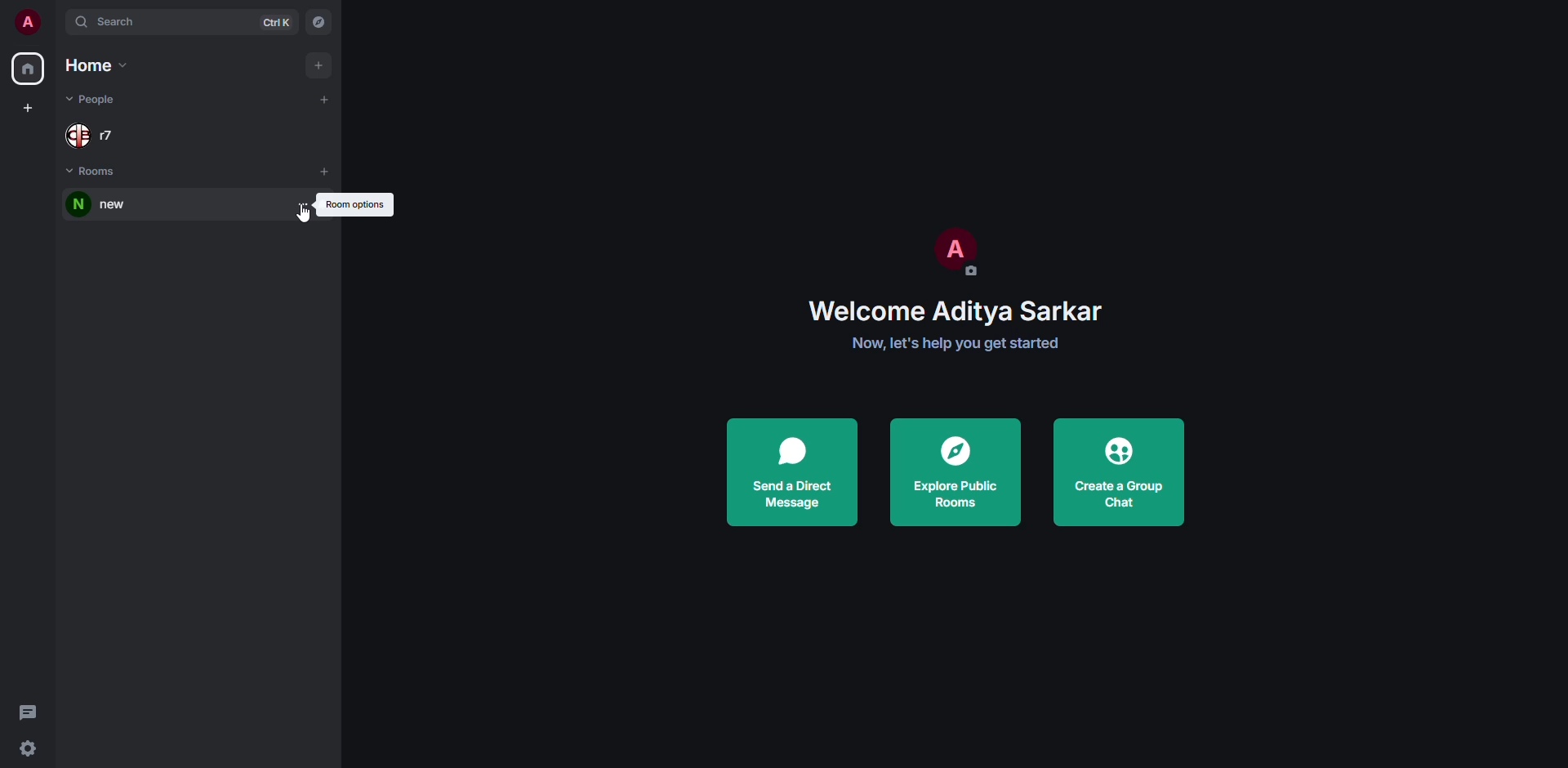  I want to click on profile, so click(27, 21).